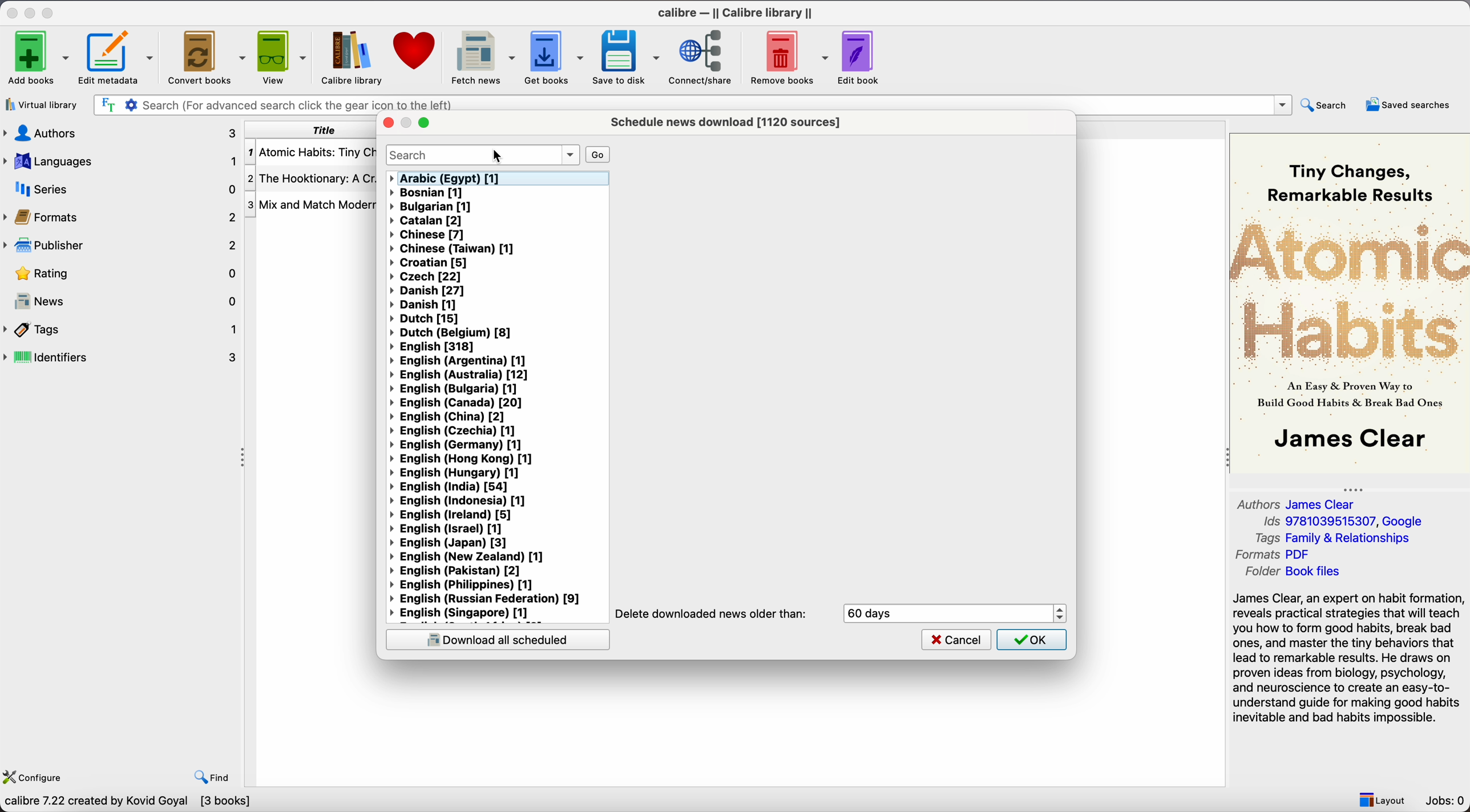  Describe the element at coordinates (429, 193) in the screenshot. I see `bosnian [1]` at that location.